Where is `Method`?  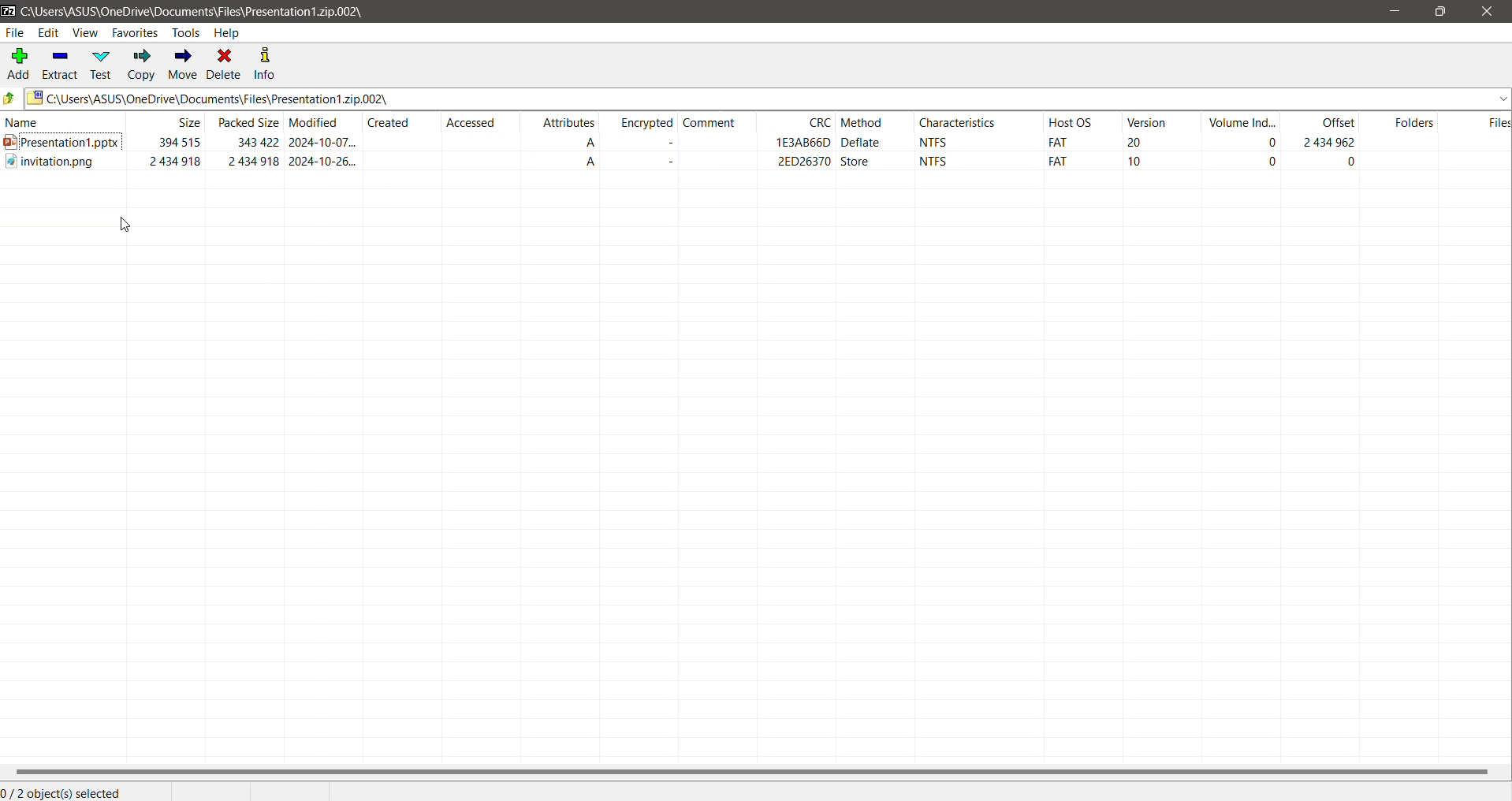
Method is located at coordinates (870, 121).